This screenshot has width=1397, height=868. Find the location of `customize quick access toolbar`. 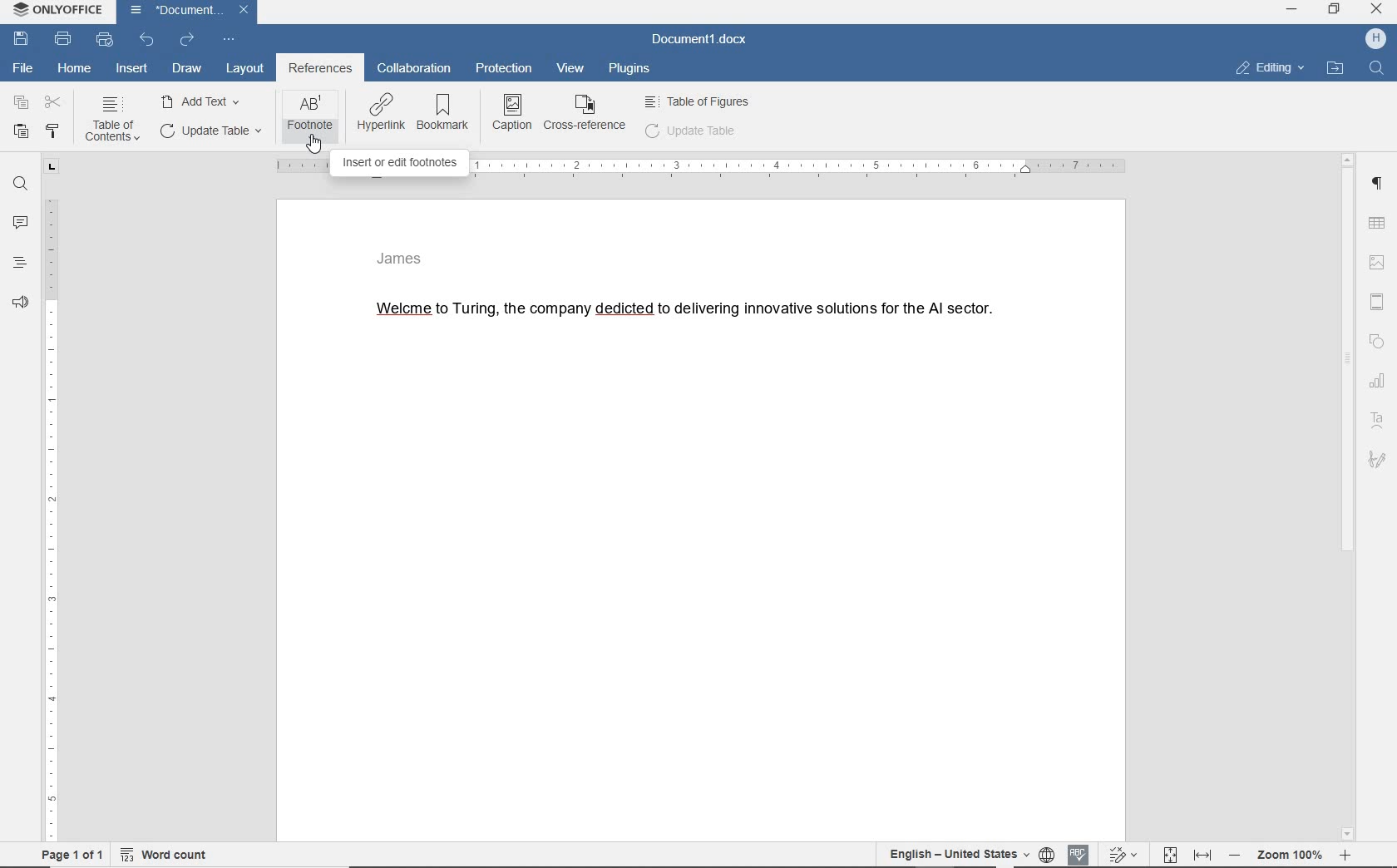

customize quick access toolbar is located at coordinates (227, 40).